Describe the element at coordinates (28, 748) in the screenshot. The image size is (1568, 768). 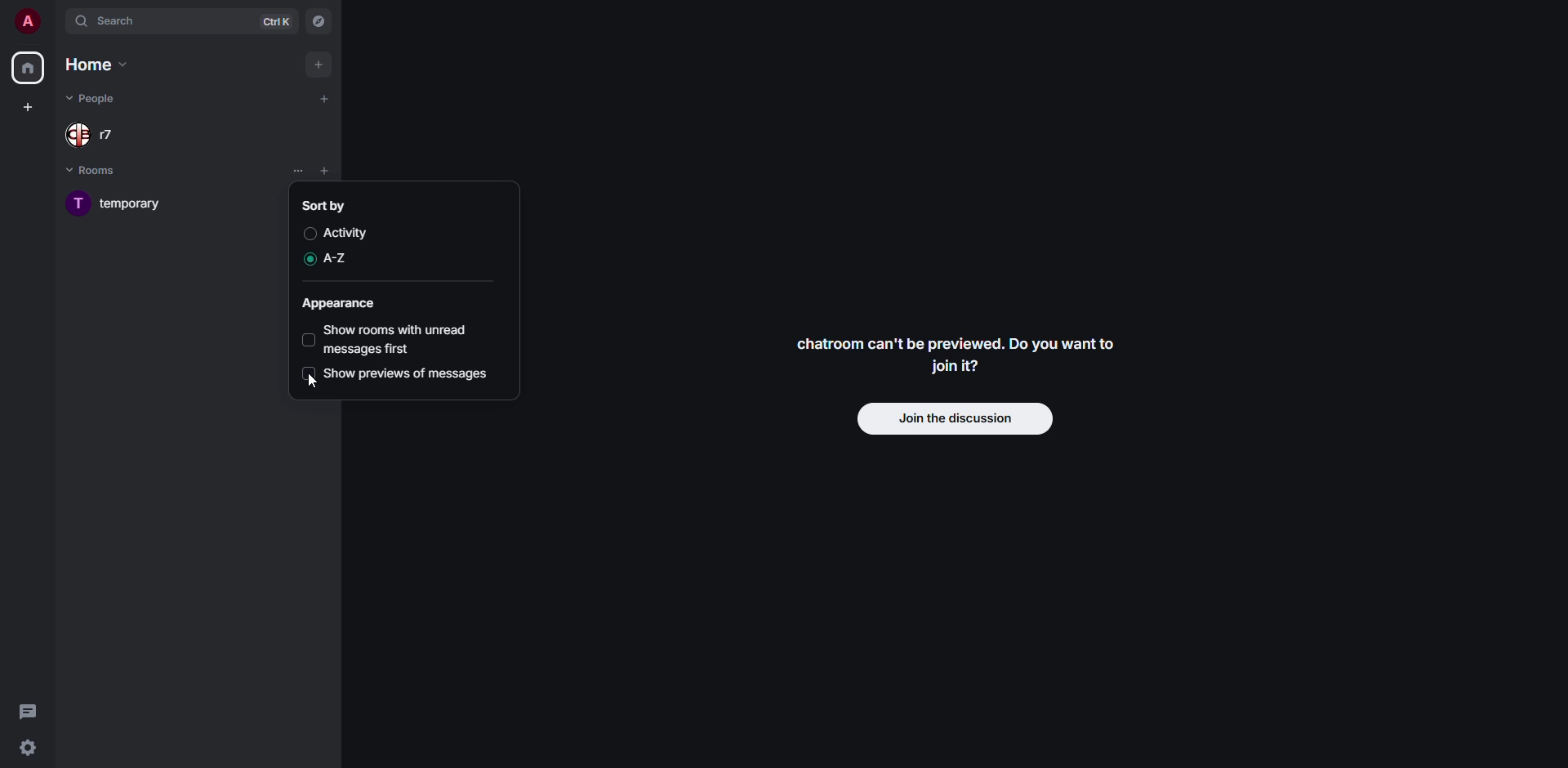
I see `quick settings` at that location.